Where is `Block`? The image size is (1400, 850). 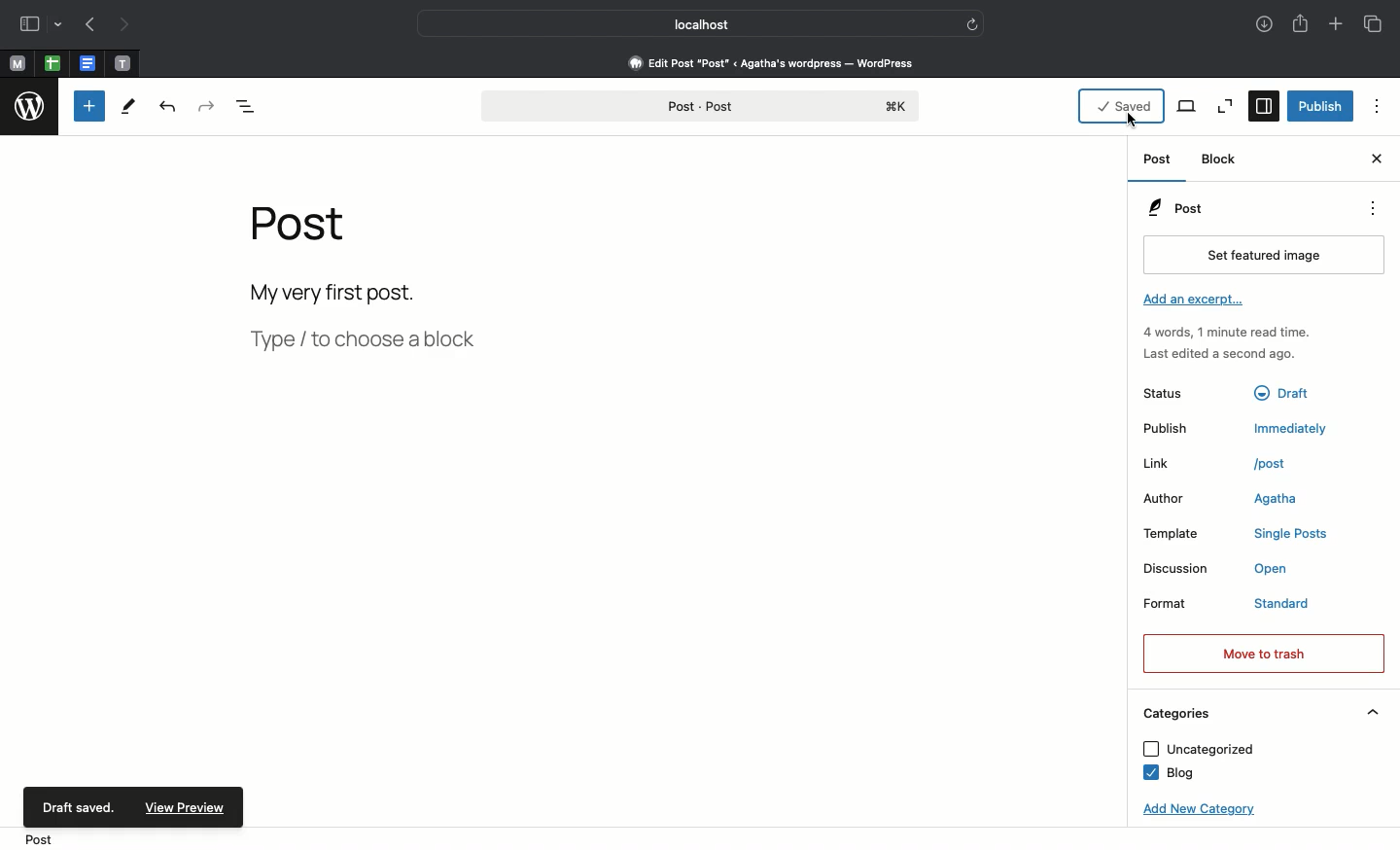 Block is located at coordinates (1221, 159).